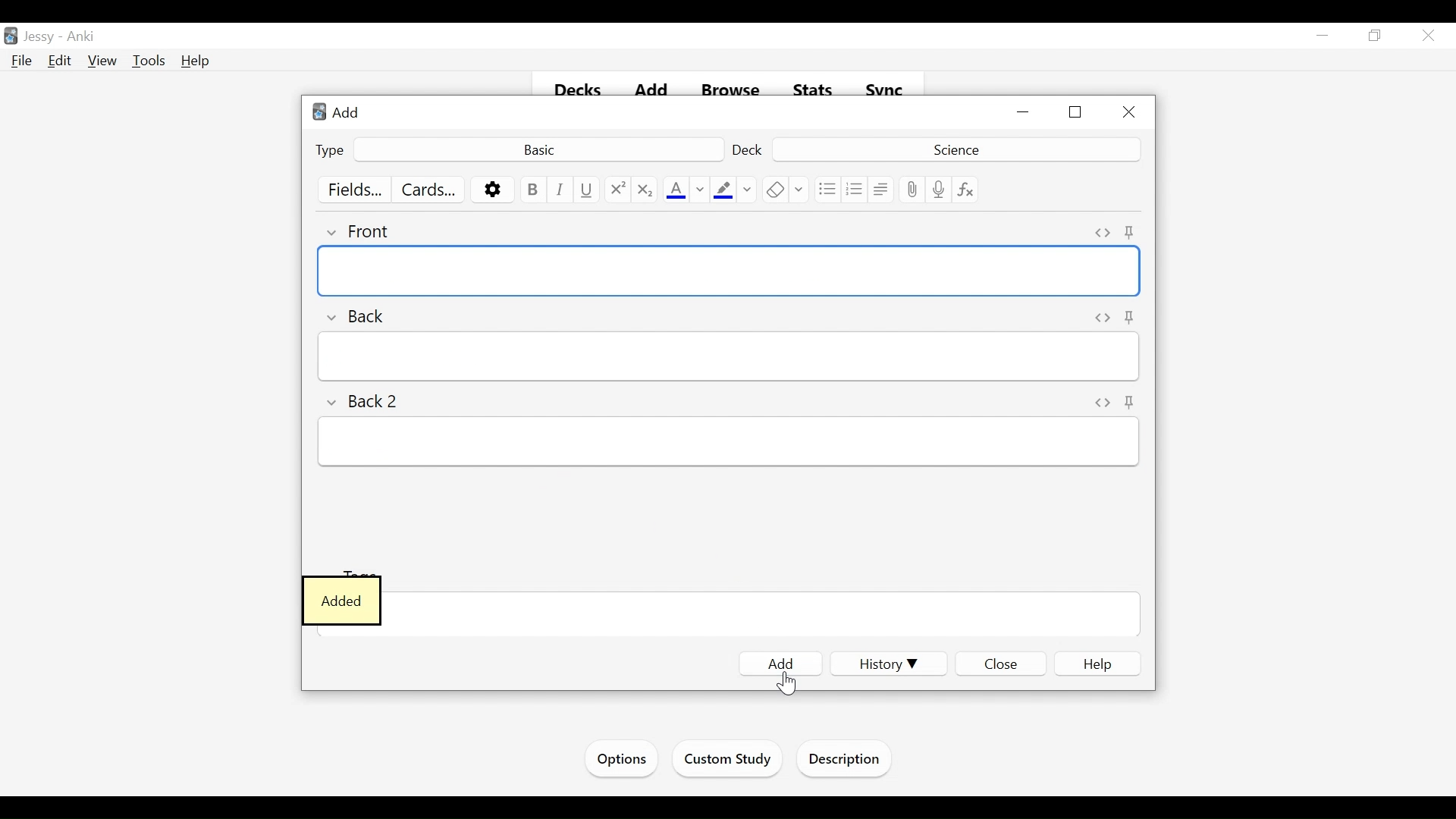 The height and width of the screenshot is (819, 1456). I want to click on Minimize, so click(1025, 113).